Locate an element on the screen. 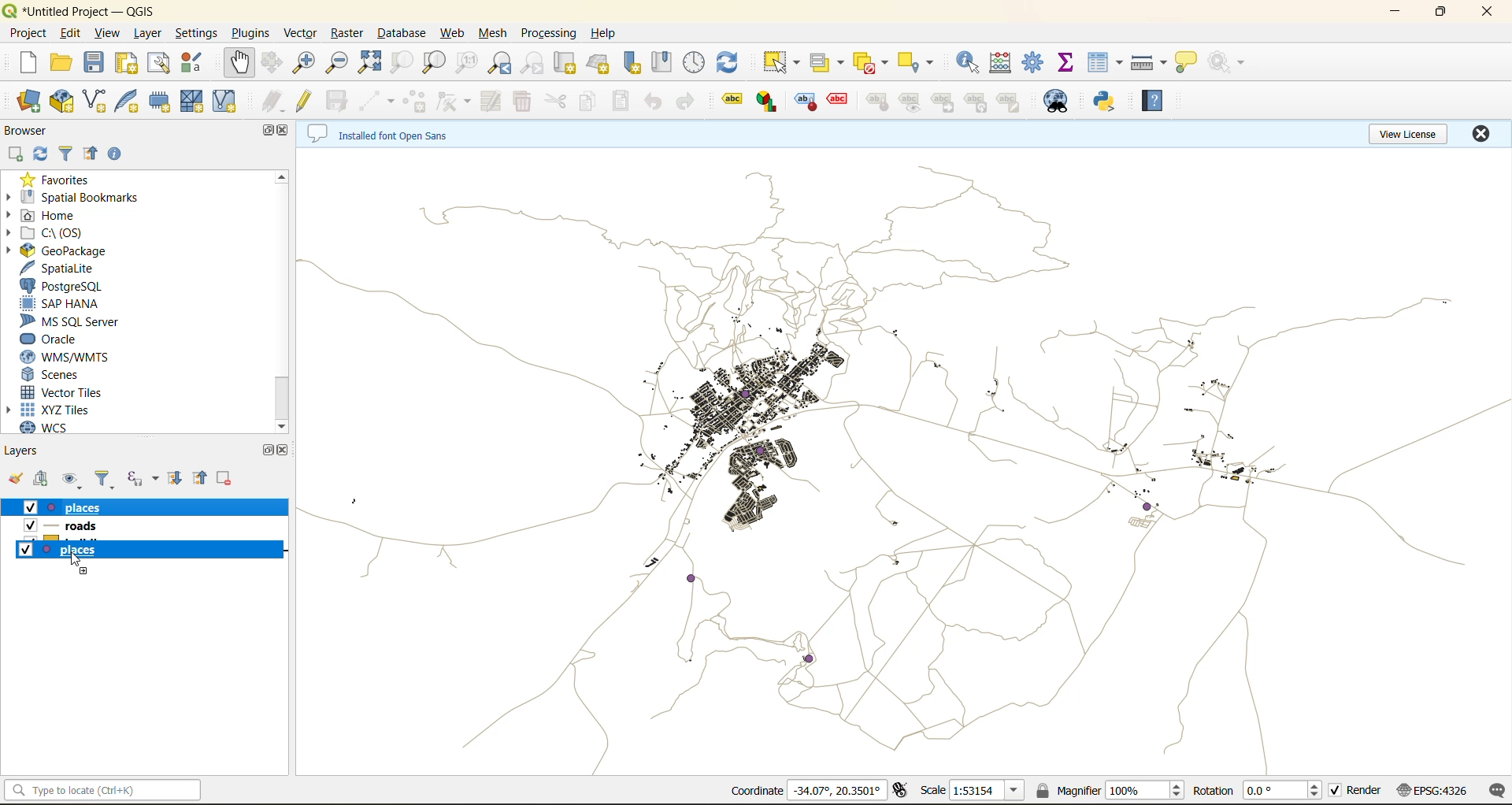  layer labeling is located at coordinates (730, 102).